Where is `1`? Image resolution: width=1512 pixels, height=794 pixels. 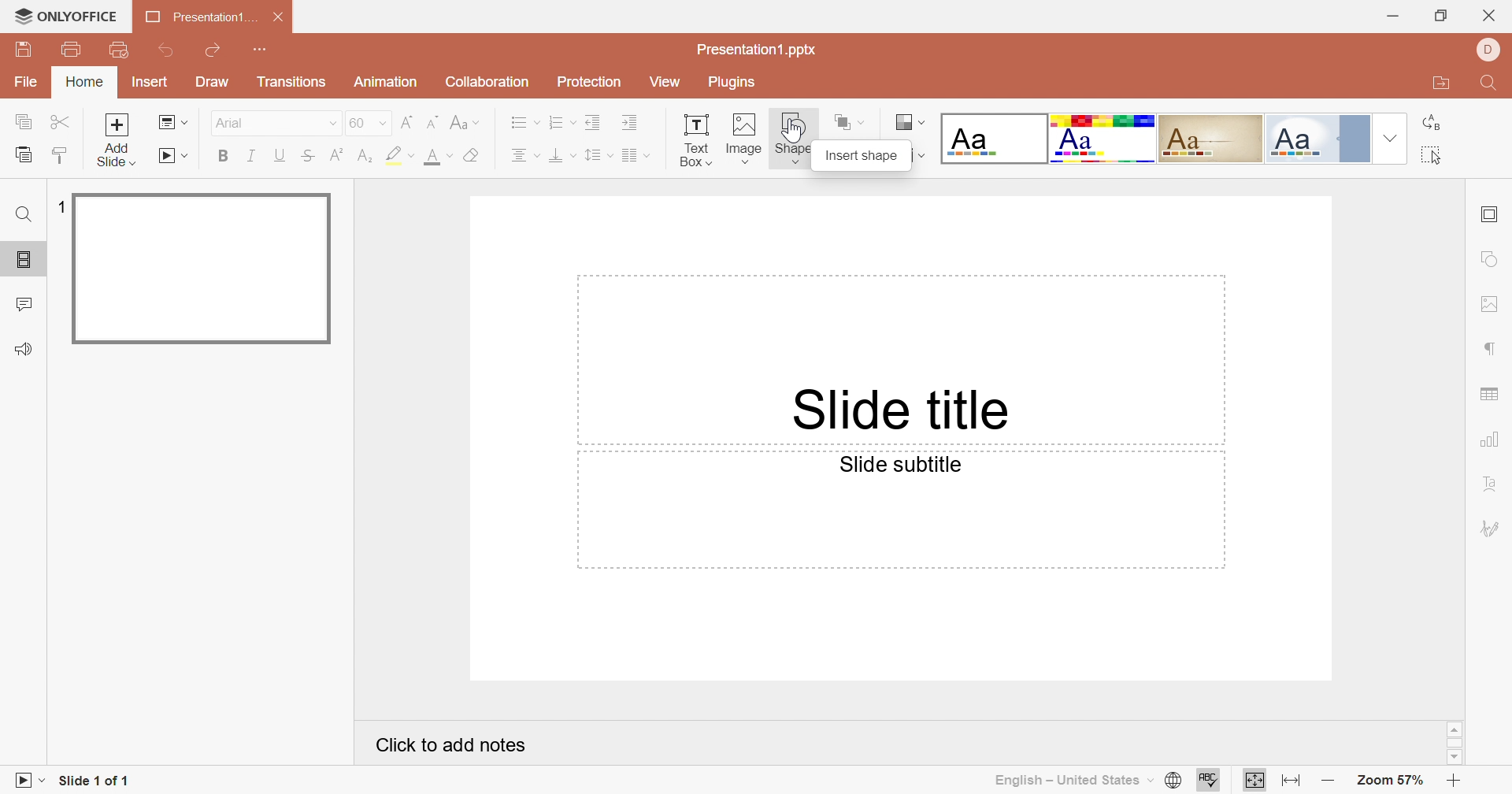 1 is located at coordinates (57, 206).